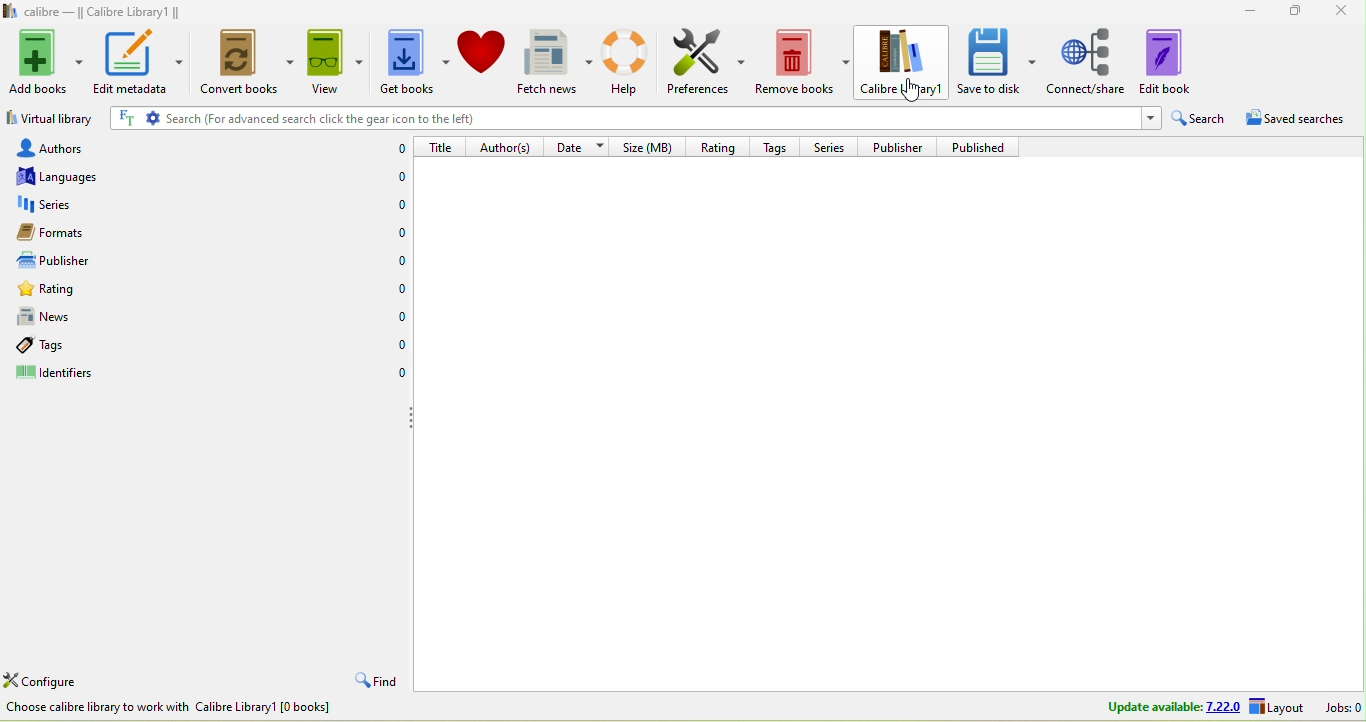 The width and height of the screenshot is (1366, 722). What do you see at coordinates (779, 145) in the screenshot?
I see `tags` at bounding box center [779, 145].